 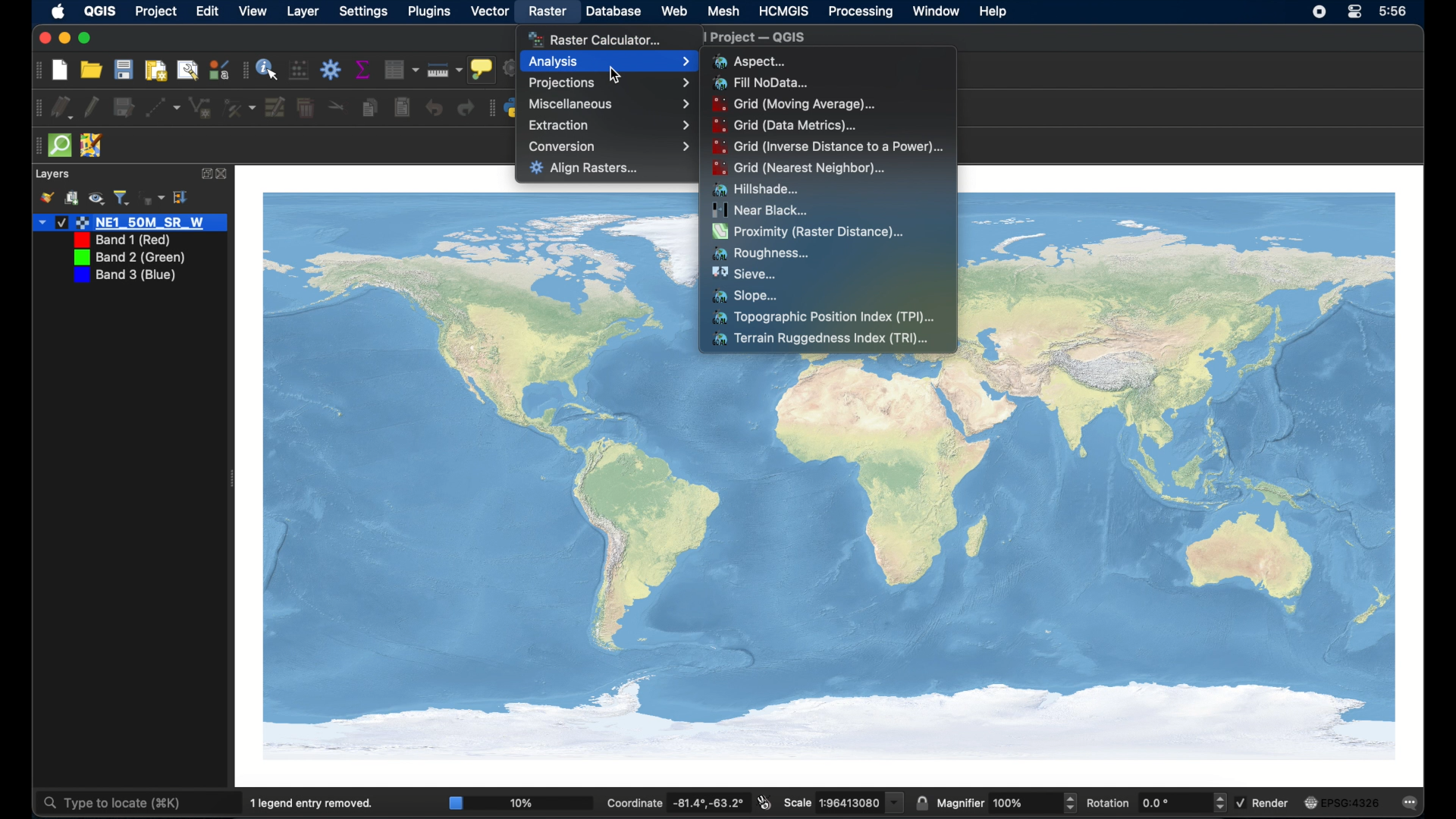 I want to click on window, so click(x=937, y=12).